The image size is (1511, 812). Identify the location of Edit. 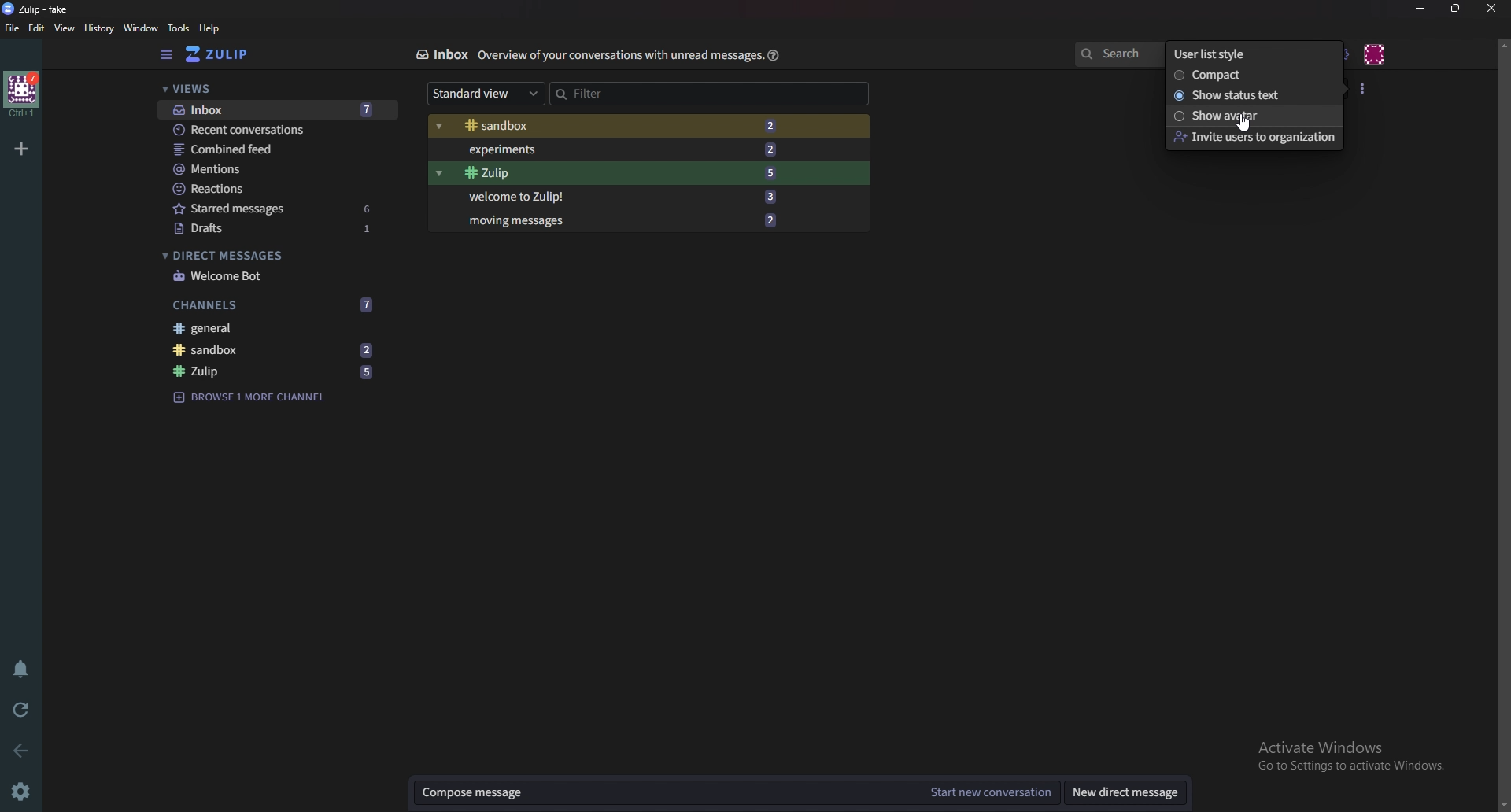
(38, 28).